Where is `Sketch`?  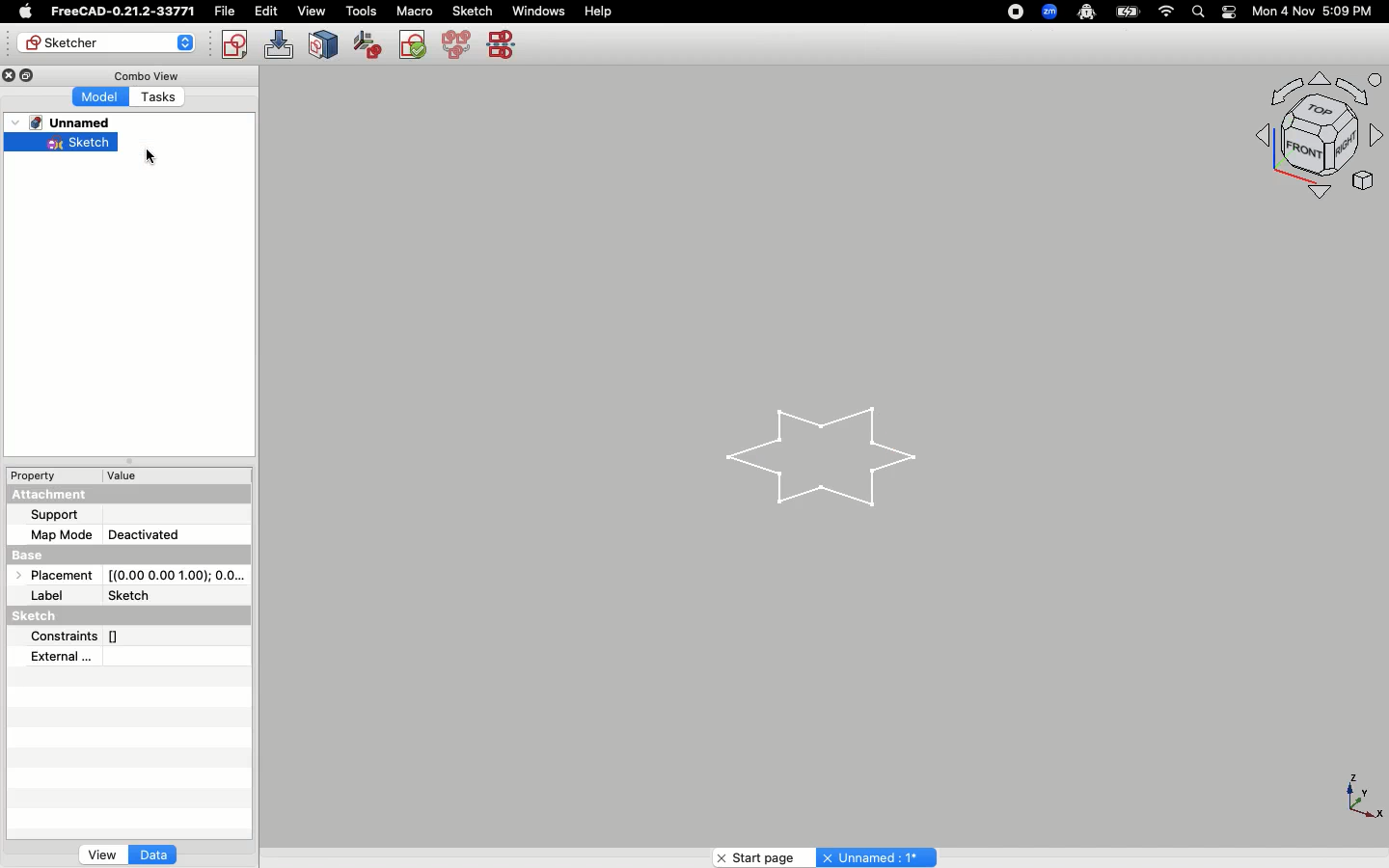
Sketch is located at coordinates (34, 615).